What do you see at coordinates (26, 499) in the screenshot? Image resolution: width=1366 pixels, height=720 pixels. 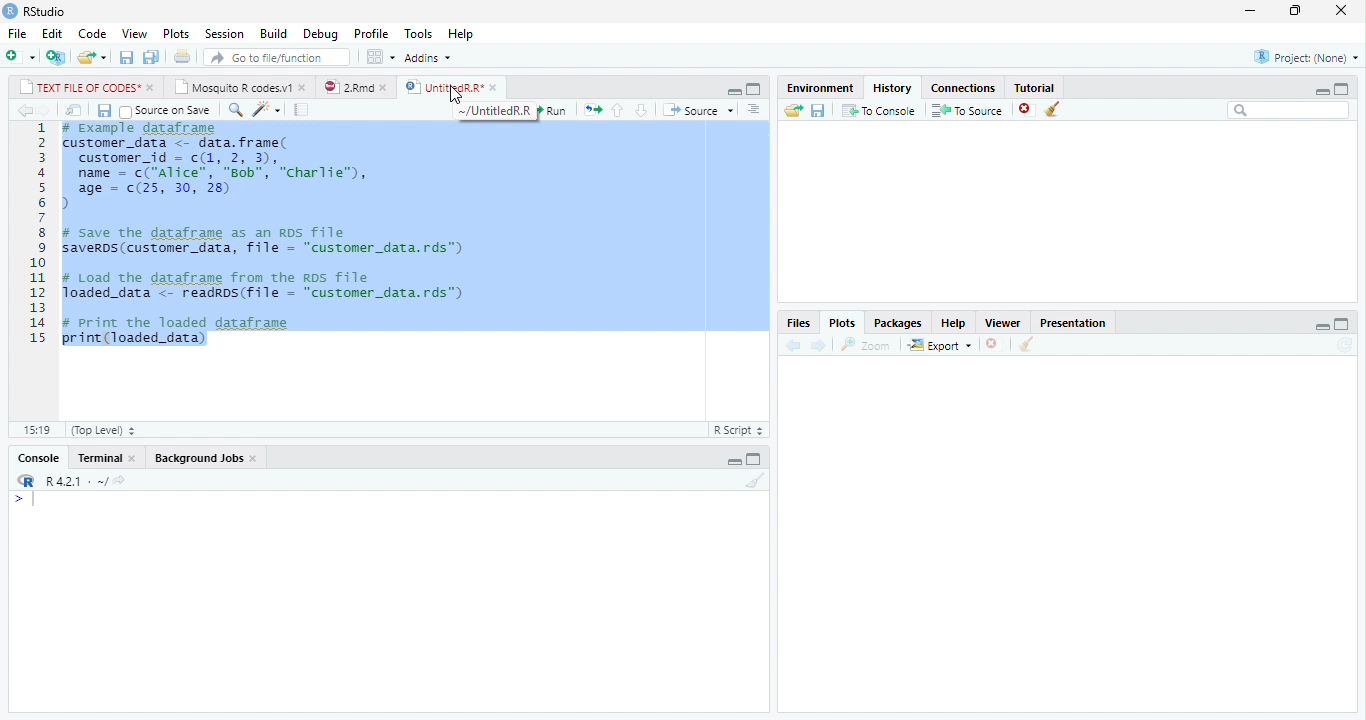 I see `>` at bounding box center [26, 499].